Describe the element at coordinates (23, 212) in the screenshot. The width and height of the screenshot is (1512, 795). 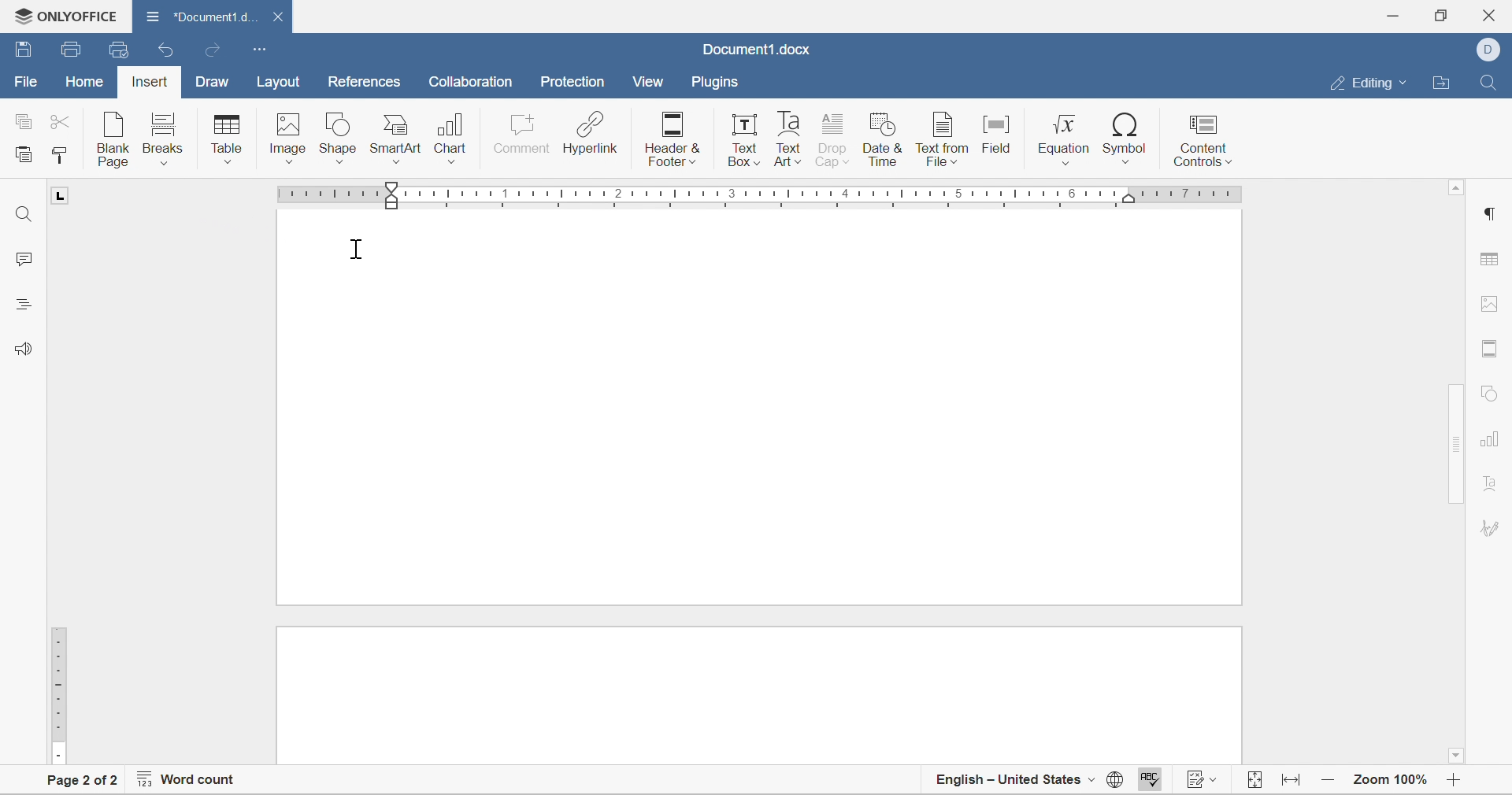
I see `Find` at that location.